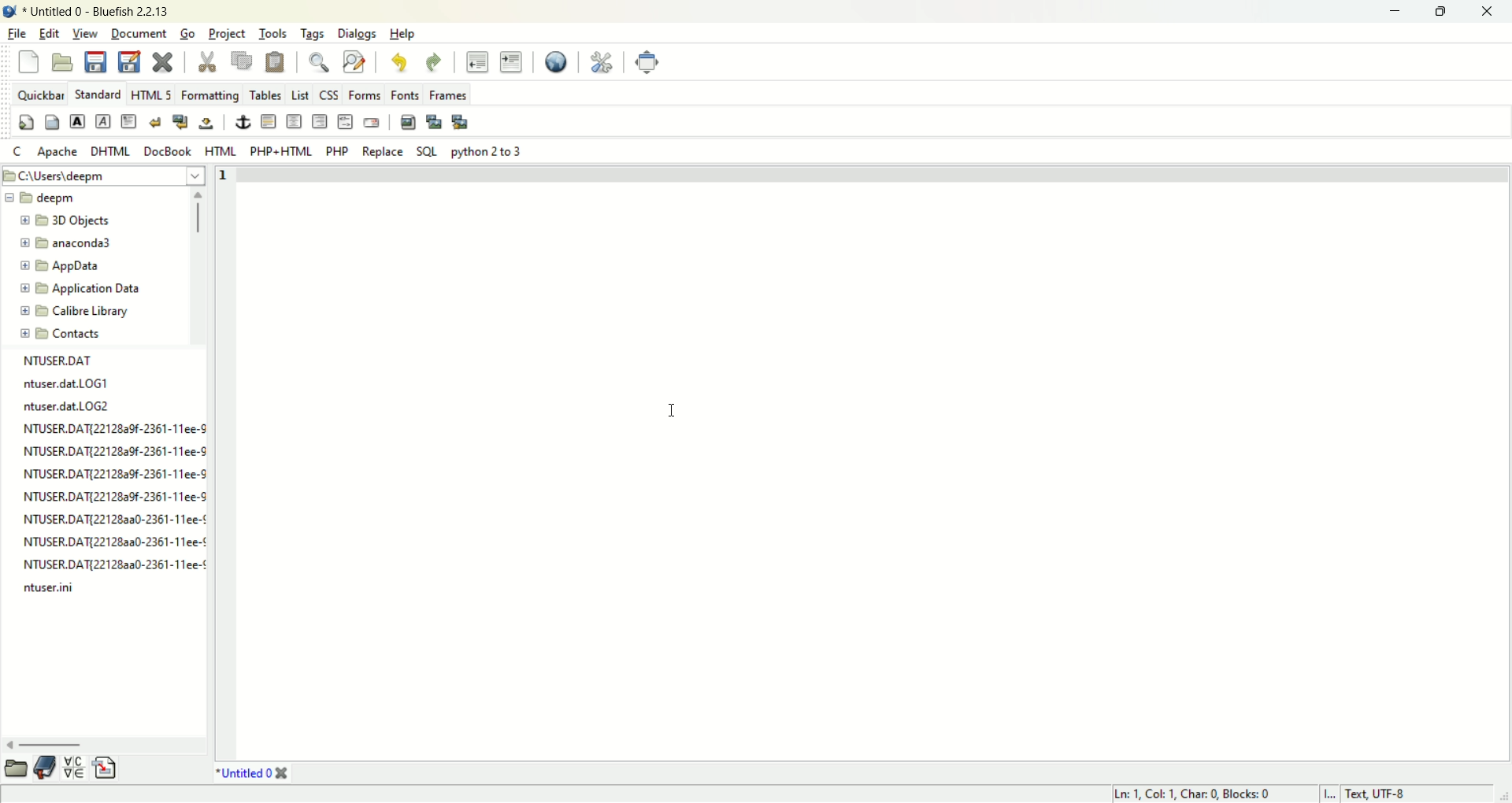  I want to click on email, so click(372, 121).